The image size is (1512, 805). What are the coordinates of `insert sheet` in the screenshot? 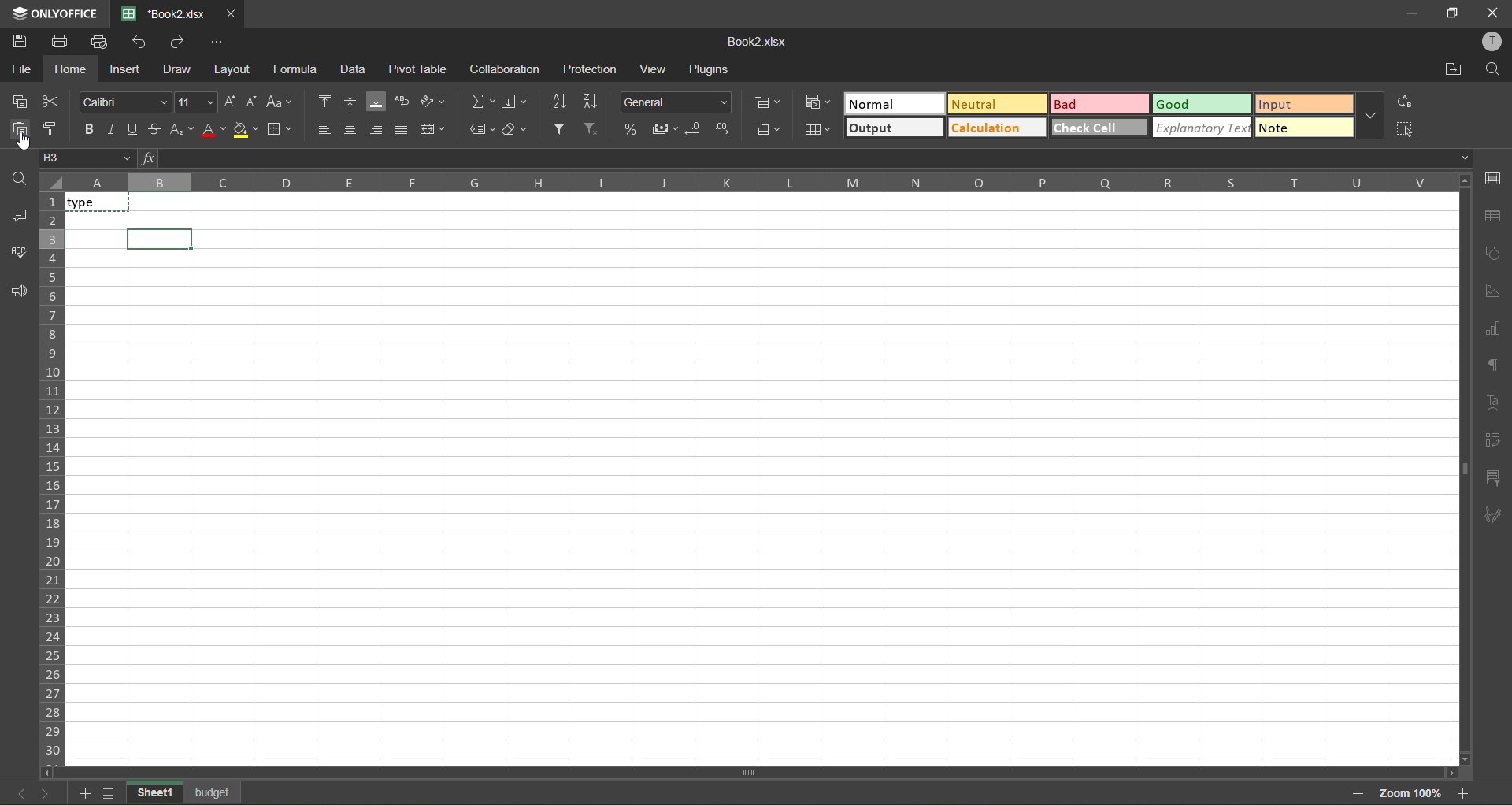 It's located at (82, 793).